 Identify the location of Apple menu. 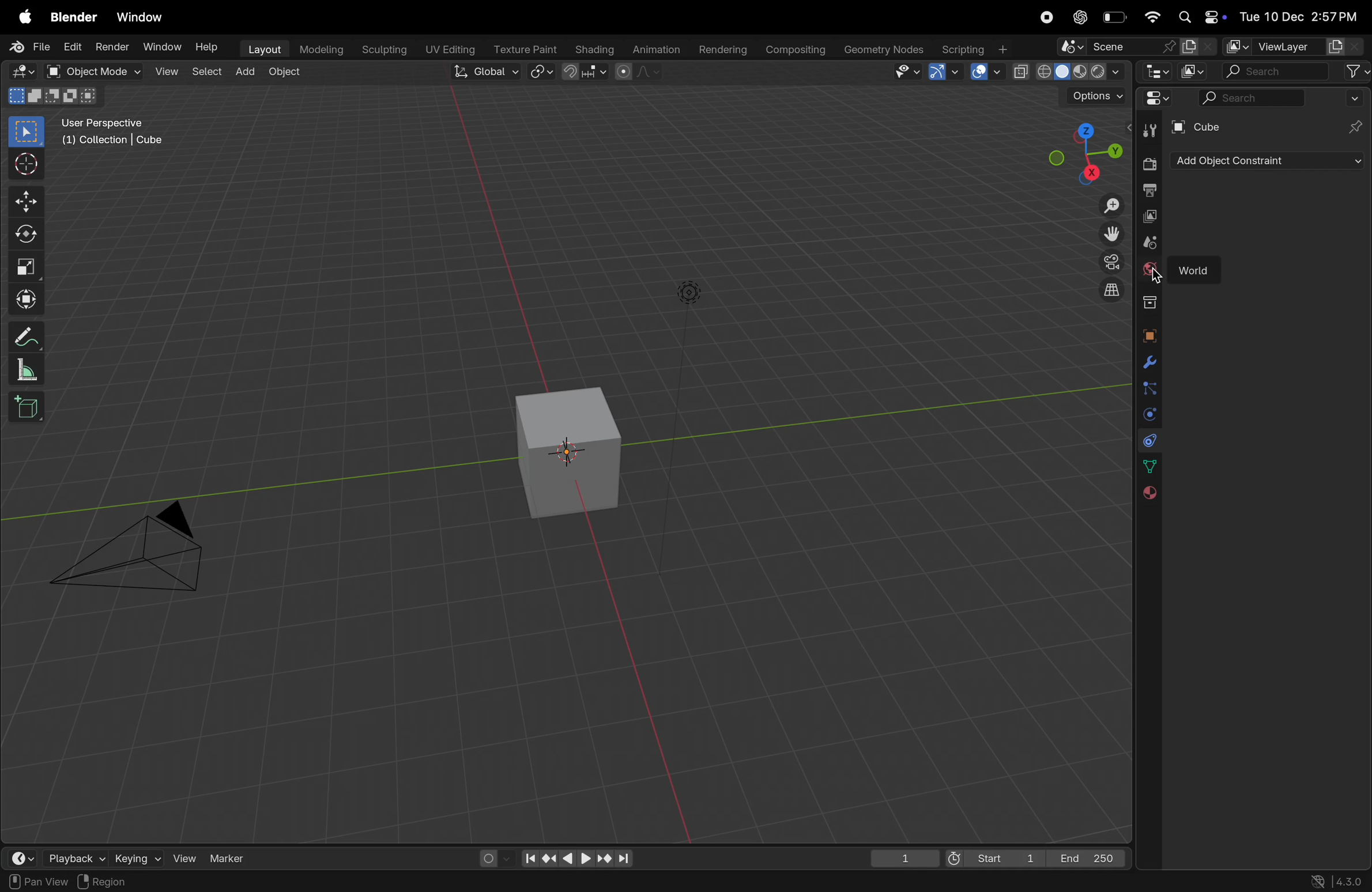
(19, 17).